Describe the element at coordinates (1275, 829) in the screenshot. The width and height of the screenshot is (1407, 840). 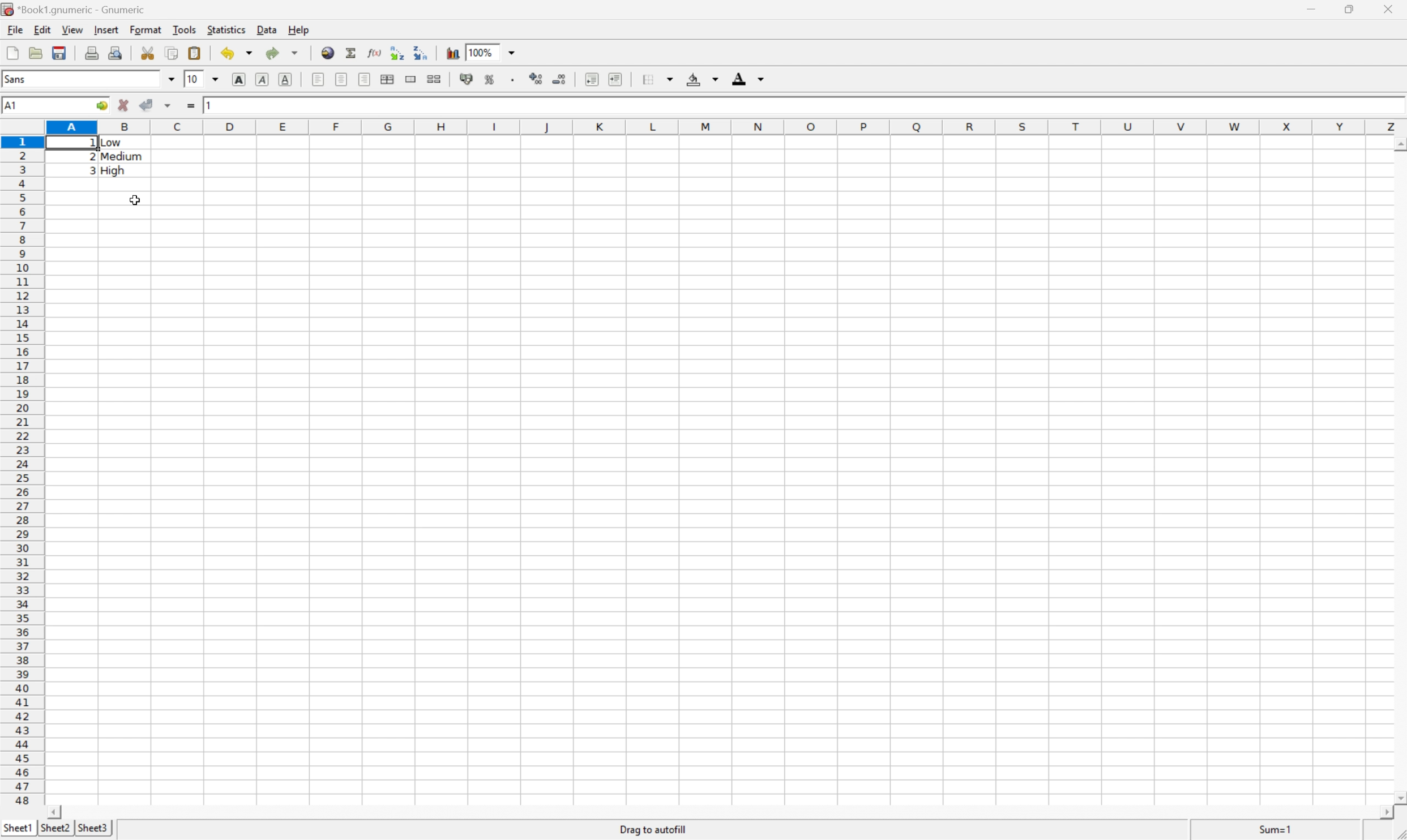
I see `Sum=1` at that location.